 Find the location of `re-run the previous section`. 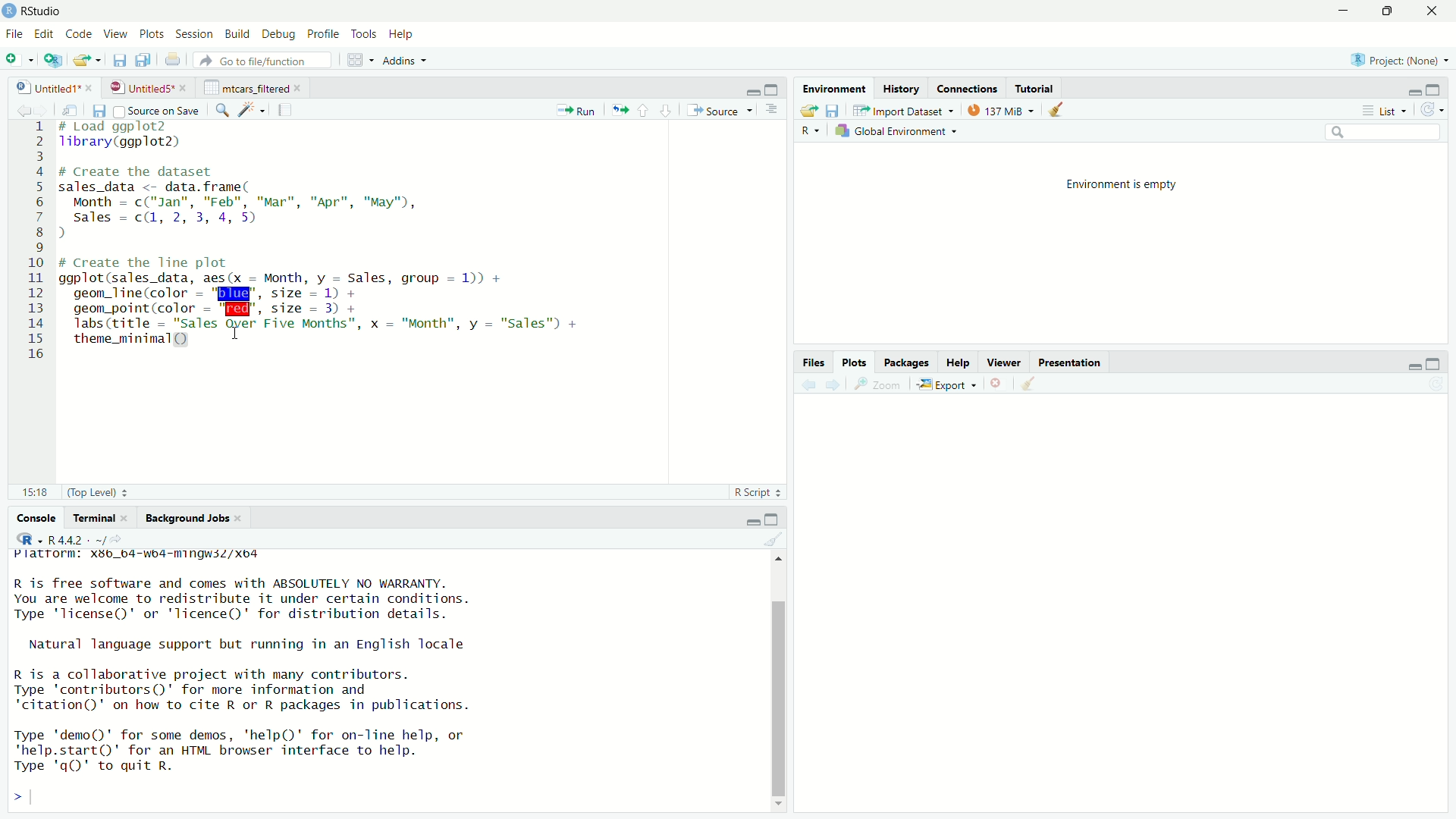

re-run the previous section is located at coordinates (620, 110).